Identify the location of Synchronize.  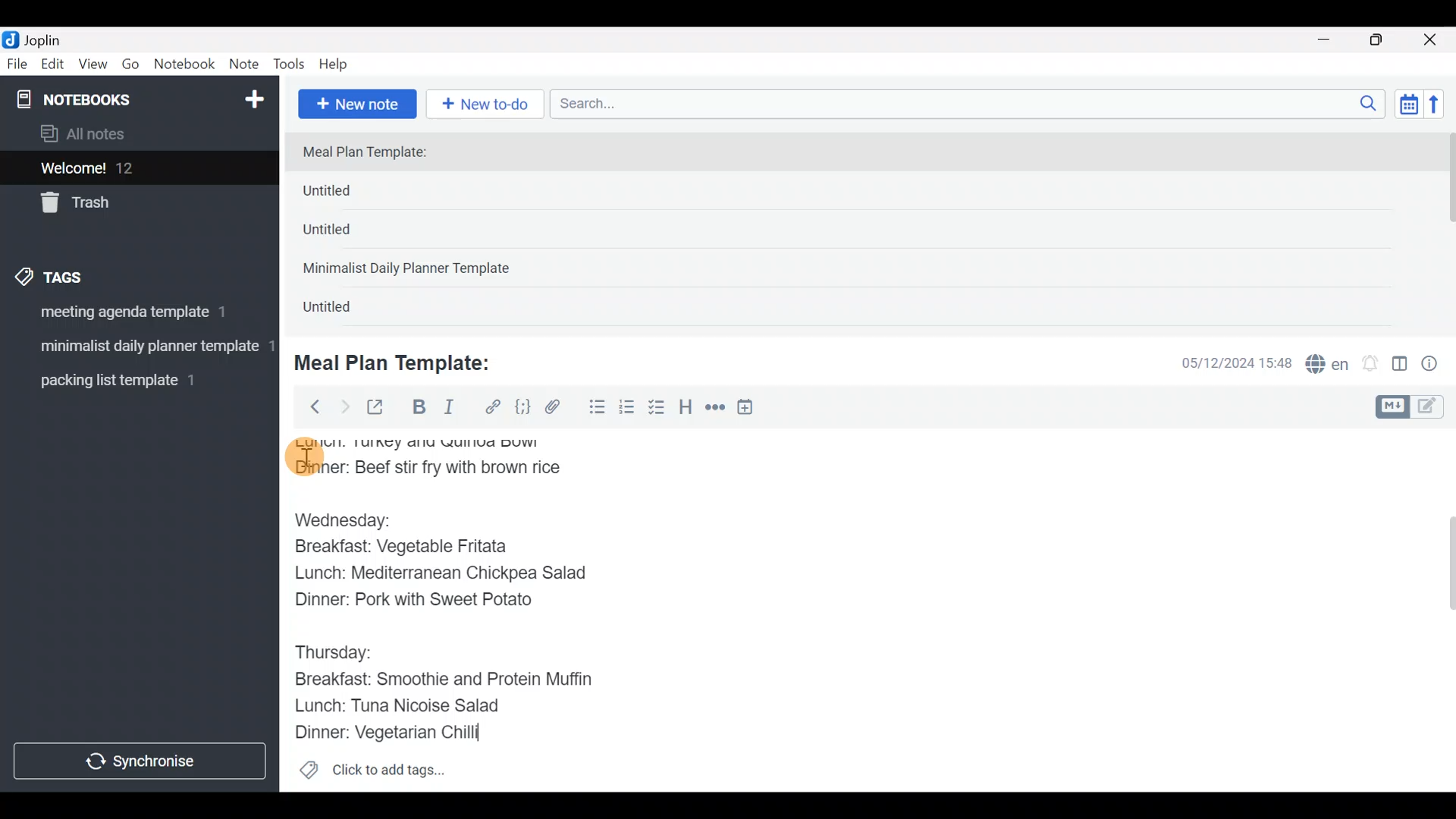
(142, 761).